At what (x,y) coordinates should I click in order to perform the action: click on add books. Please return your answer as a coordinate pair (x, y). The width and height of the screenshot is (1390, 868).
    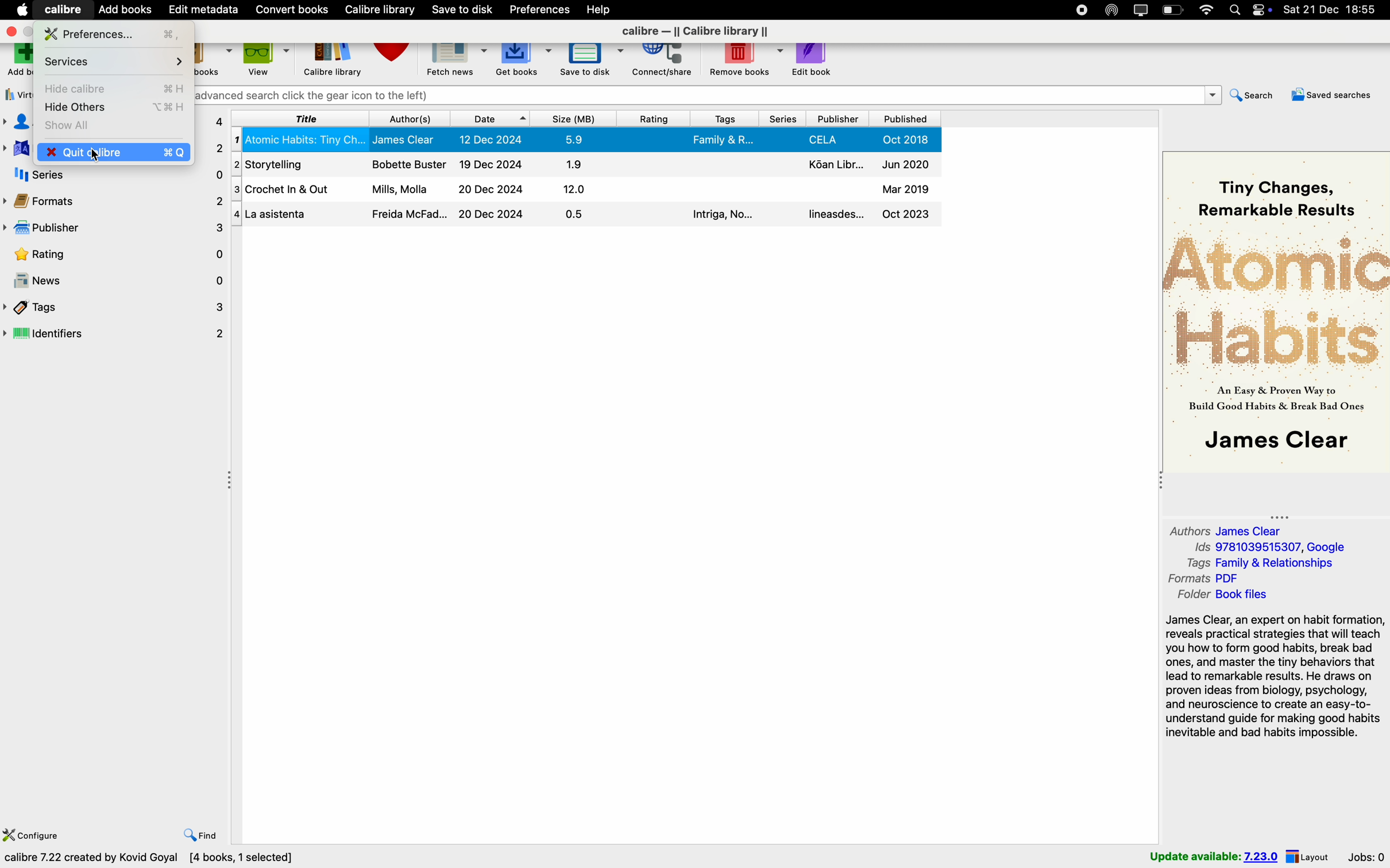
    Looking at the image, I should click on (18, 61).